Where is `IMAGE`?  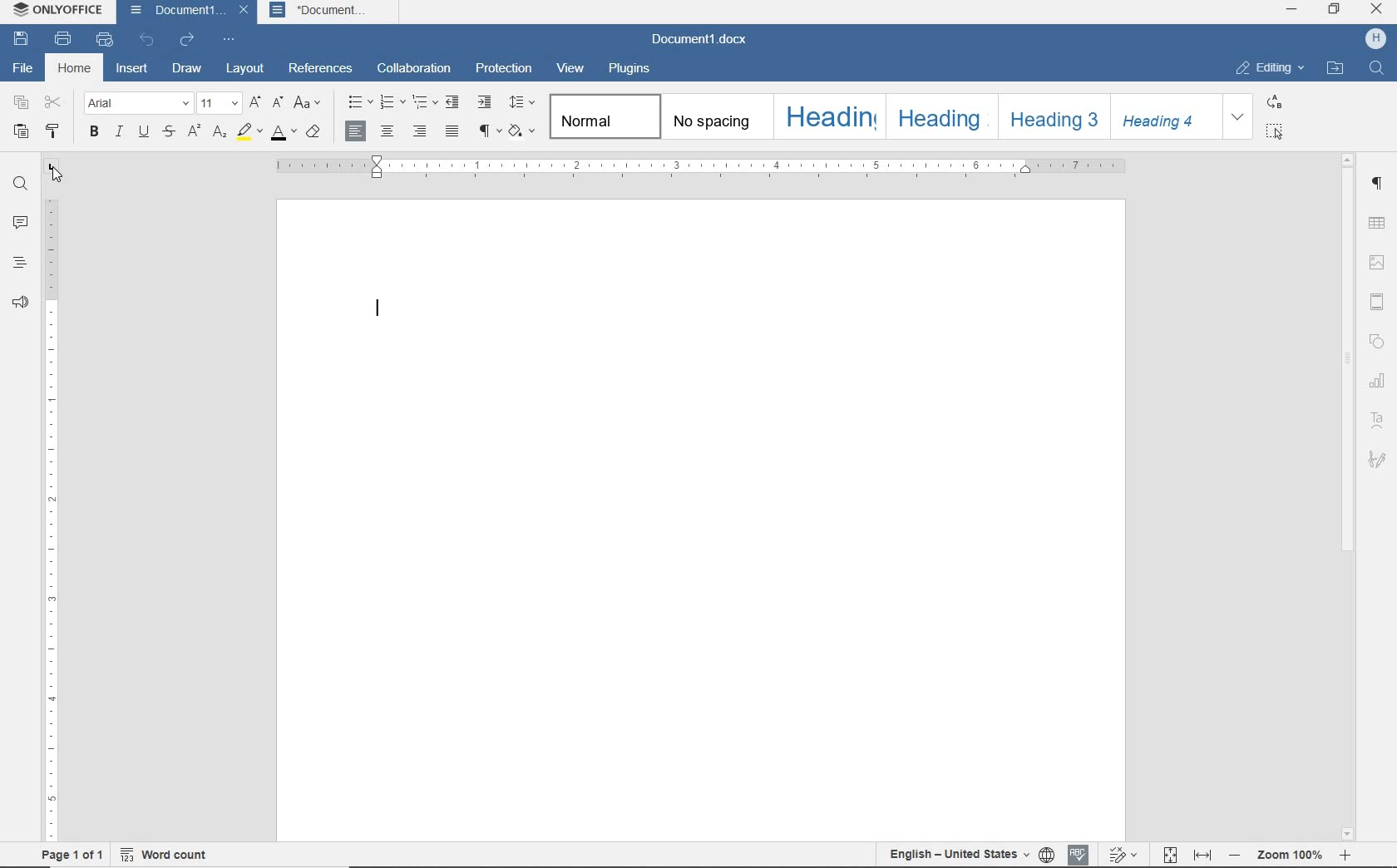
IMAGE is located at coordinates (1377, 263).